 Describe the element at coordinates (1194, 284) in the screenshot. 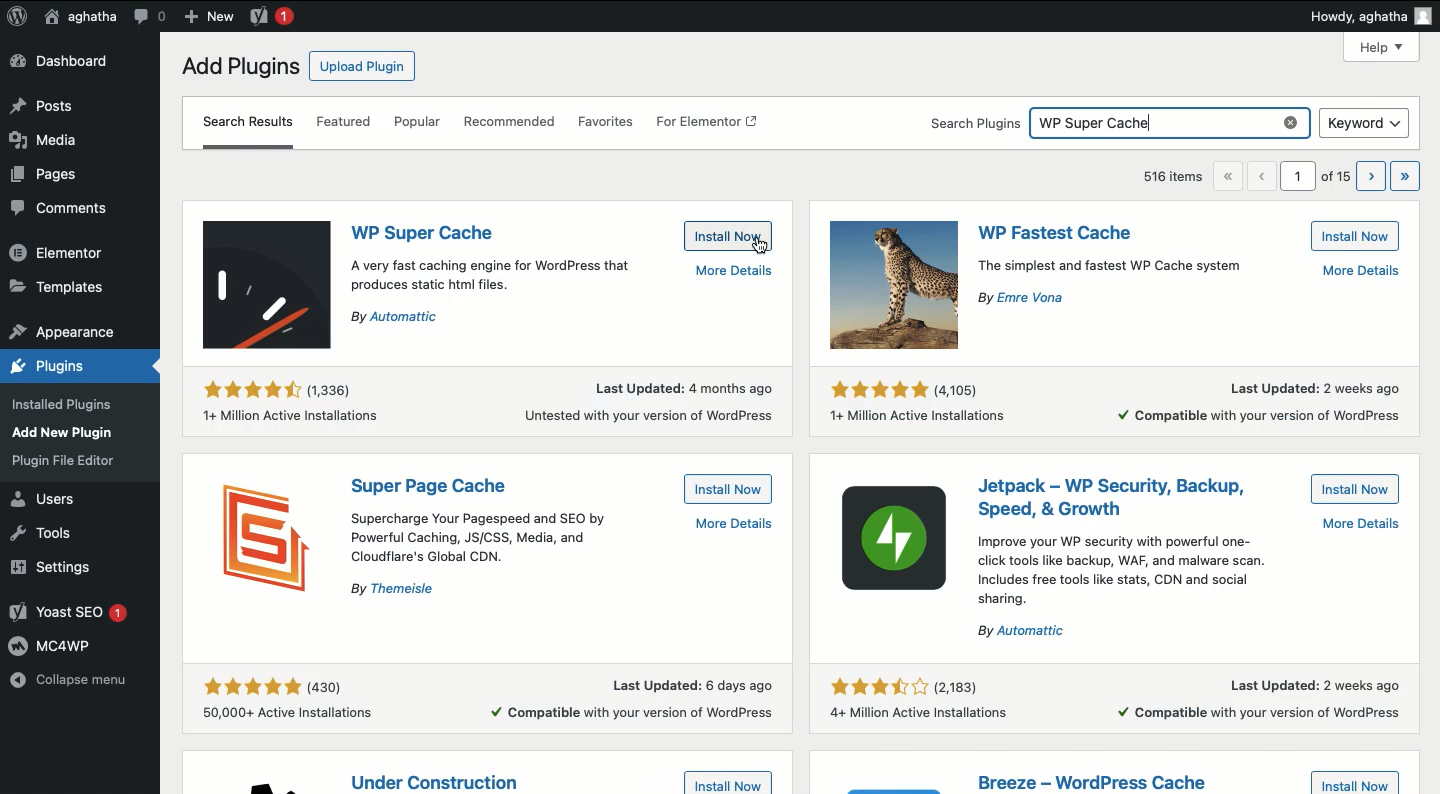

I see `the simplest and fastest WP Cache system By Emre Vona` at that location.